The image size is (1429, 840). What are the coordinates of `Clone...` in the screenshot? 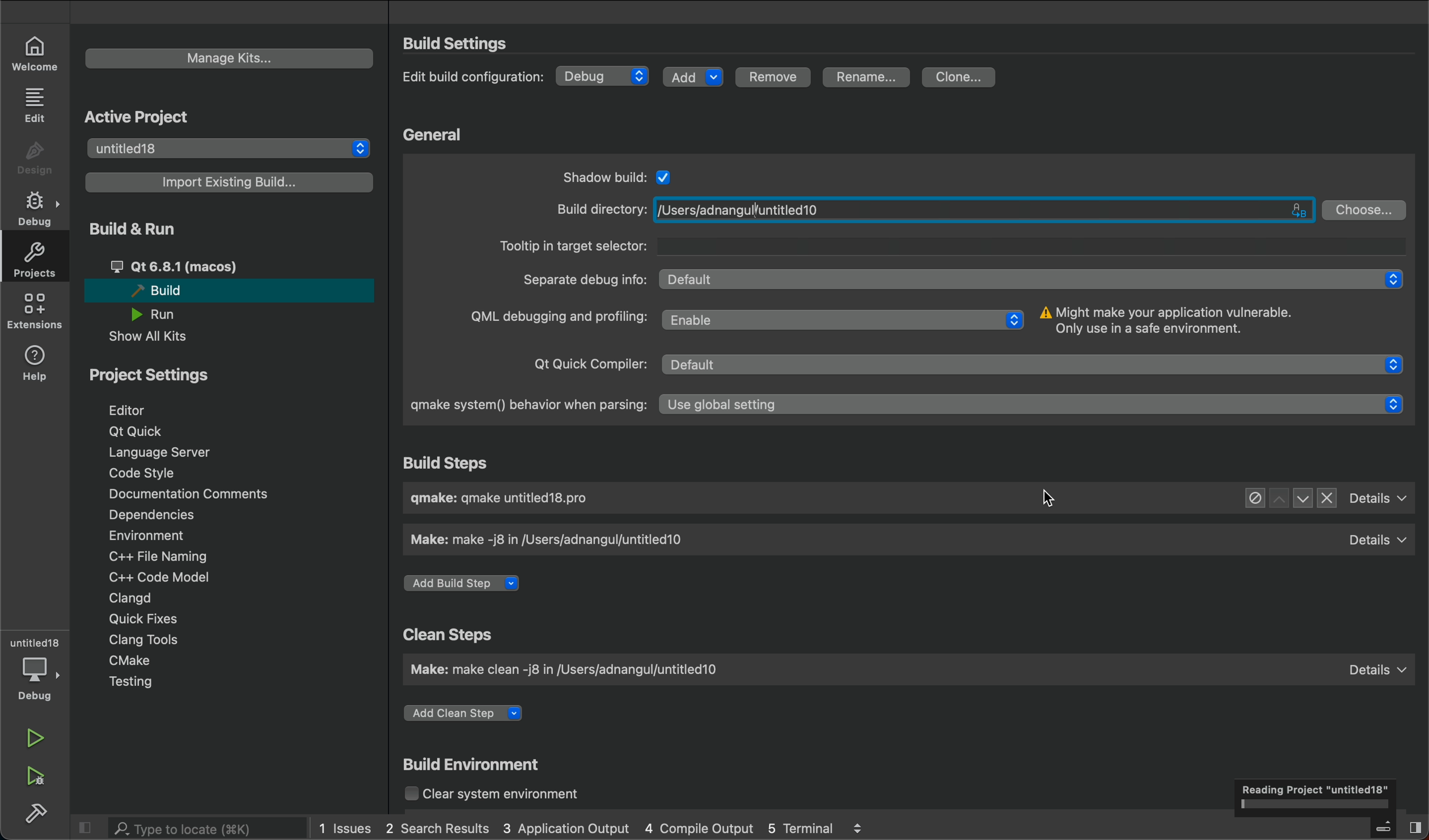 It's located at (959, 75).